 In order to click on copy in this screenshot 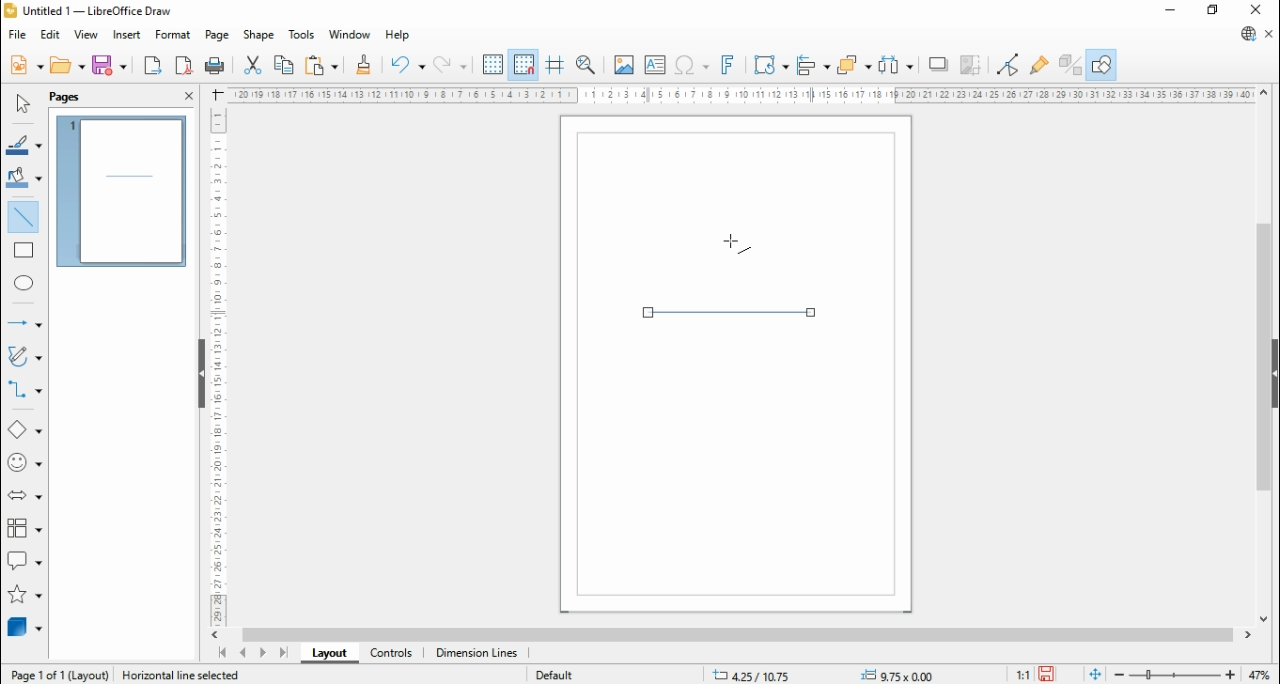, I will do `click(285, 65)`.